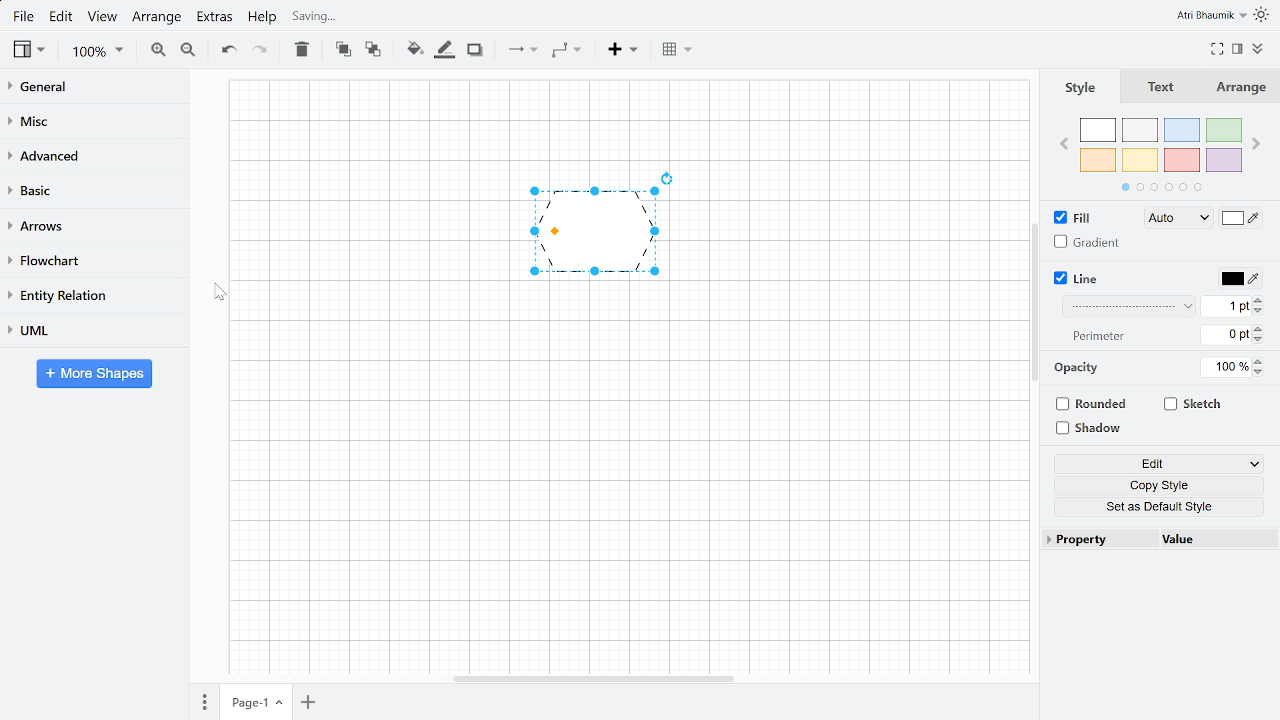 The image size is (1280, 720). Describe the element at coordinates (29, 51) in the screenshot. I see `view` at that location.